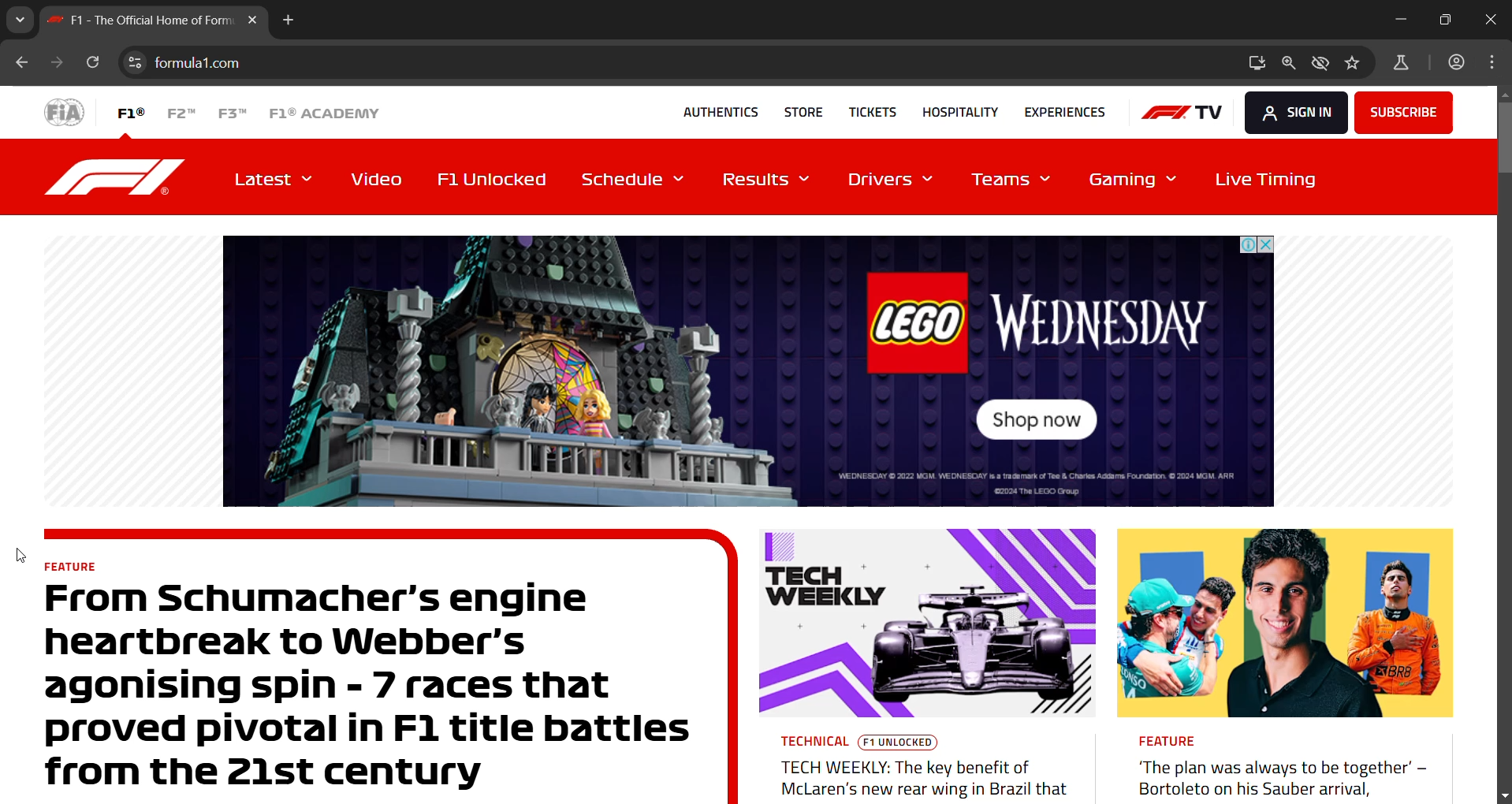 The image size is (1512, 804). I want to click on view site information, so click(136, 62).